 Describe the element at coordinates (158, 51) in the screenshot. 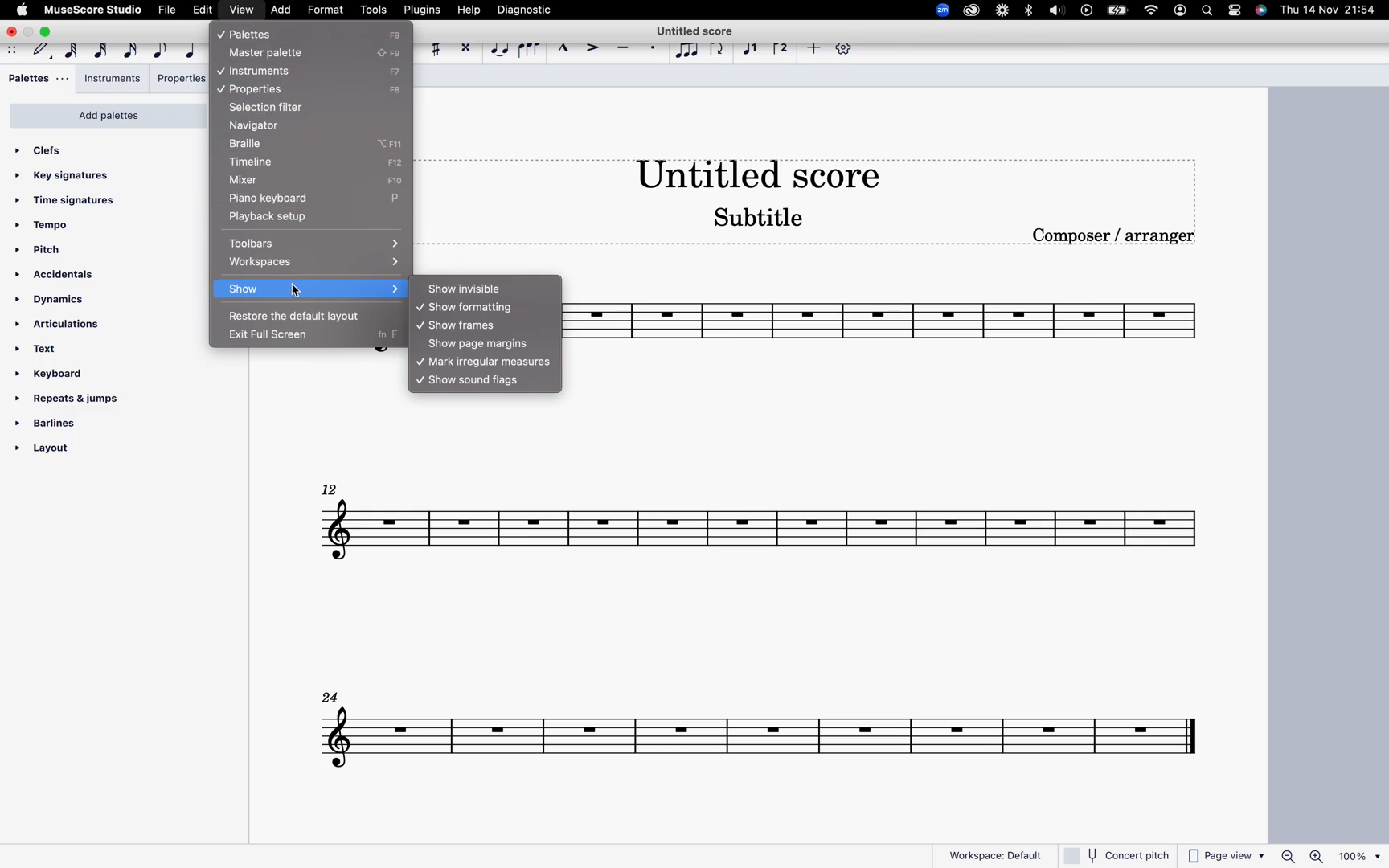

I see `eight note` at that location.